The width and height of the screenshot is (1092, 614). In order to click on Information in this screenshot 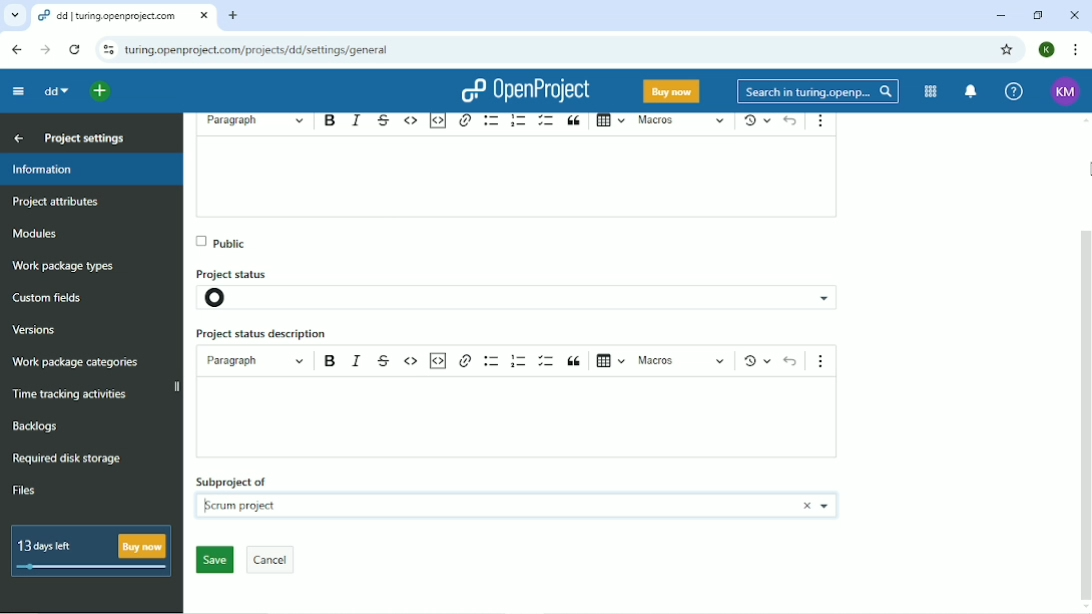, I will do `click(91, 171)`.